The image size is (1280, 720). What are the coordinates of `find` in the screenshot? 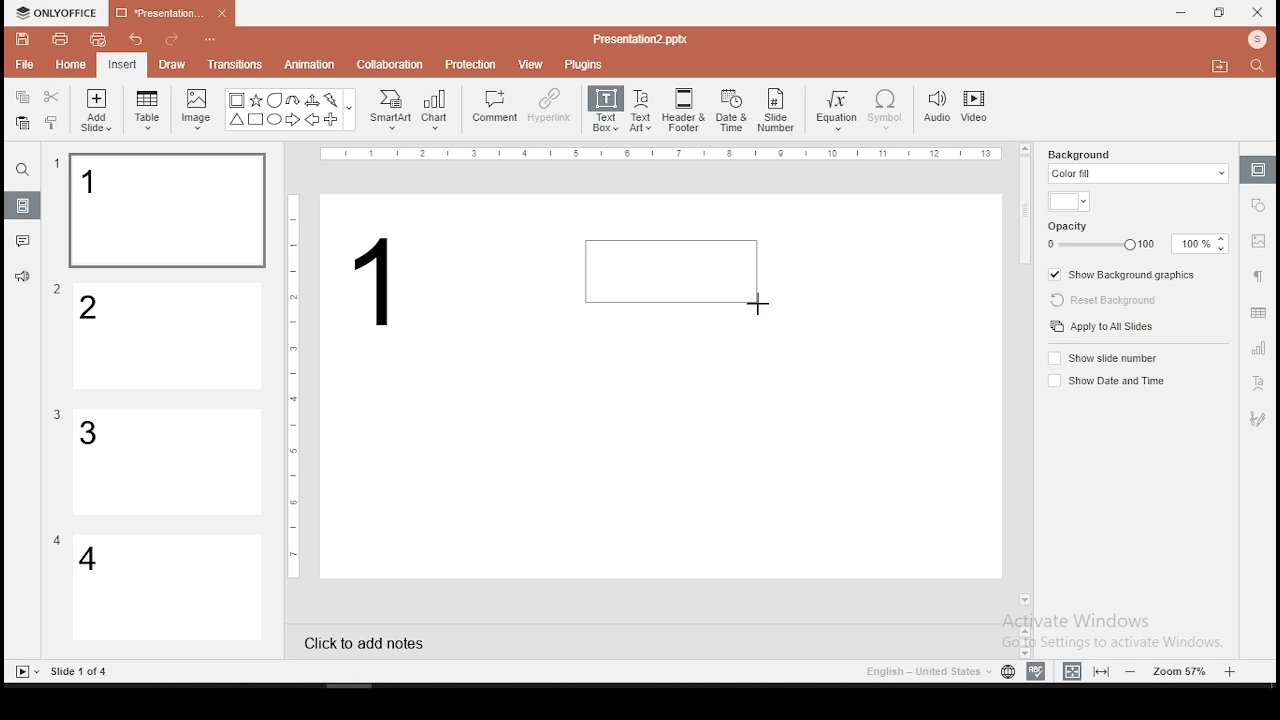 It's located at (22, 170).